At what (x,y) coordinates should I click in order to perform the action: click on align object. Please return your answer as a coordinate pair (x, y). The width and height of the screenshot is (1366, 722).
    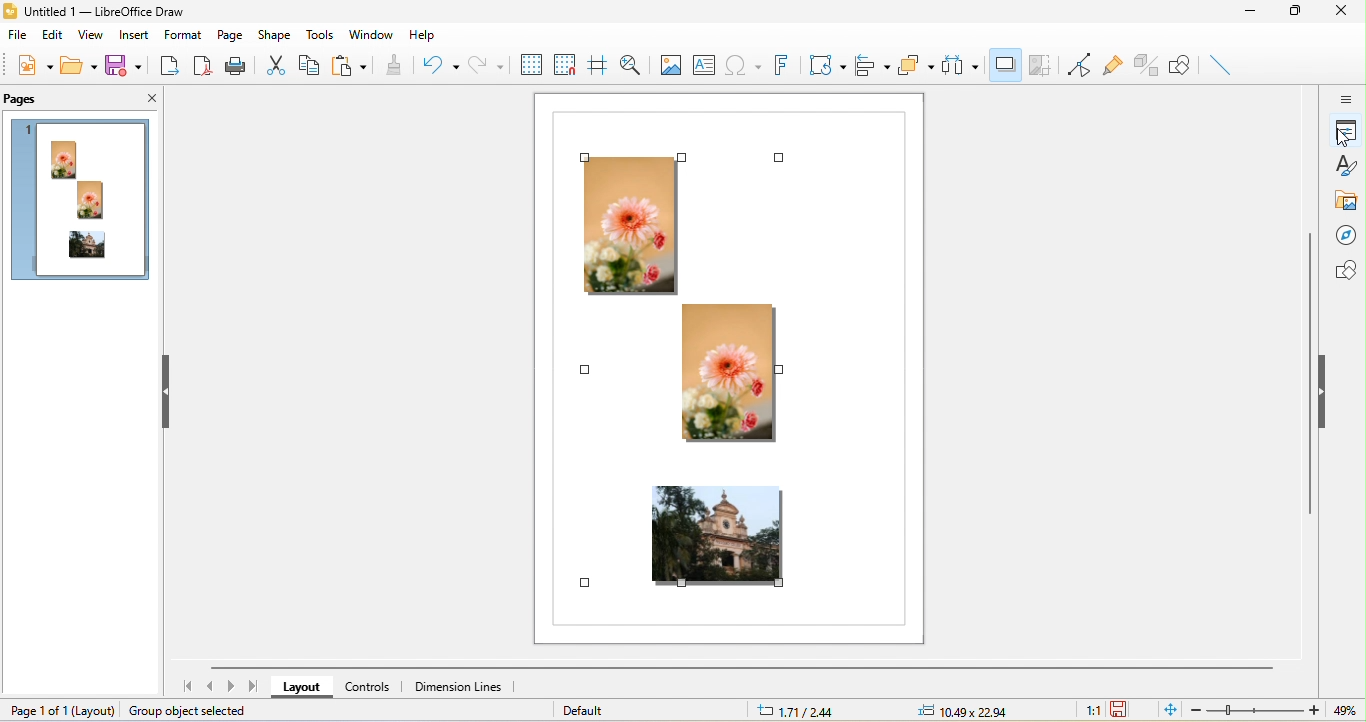
    Looking at the image, I should click on (874, 65).